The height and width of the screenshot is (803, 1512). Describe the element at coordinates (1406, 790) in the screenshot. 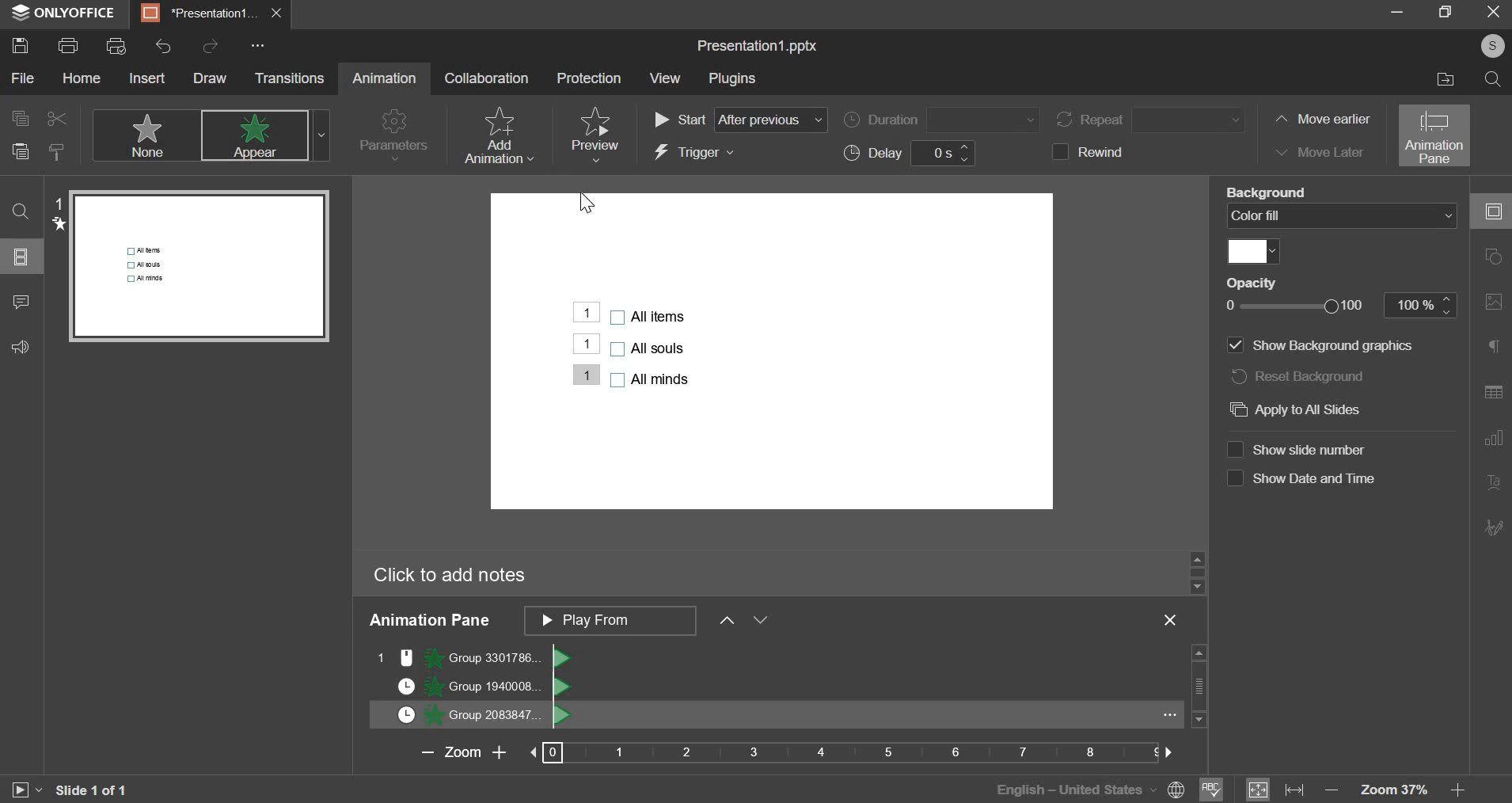

I see `zoom` at that location.